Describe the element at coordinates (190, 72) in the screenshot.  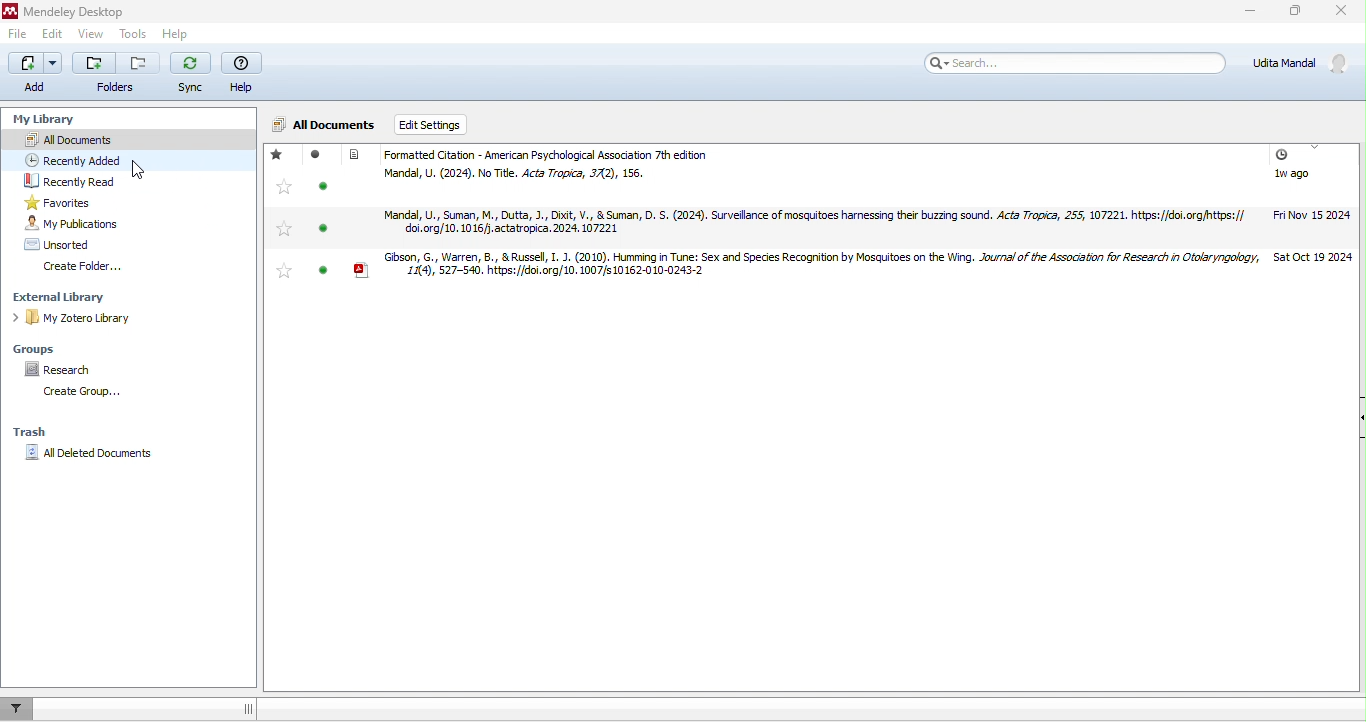
I see `sync` at that location.